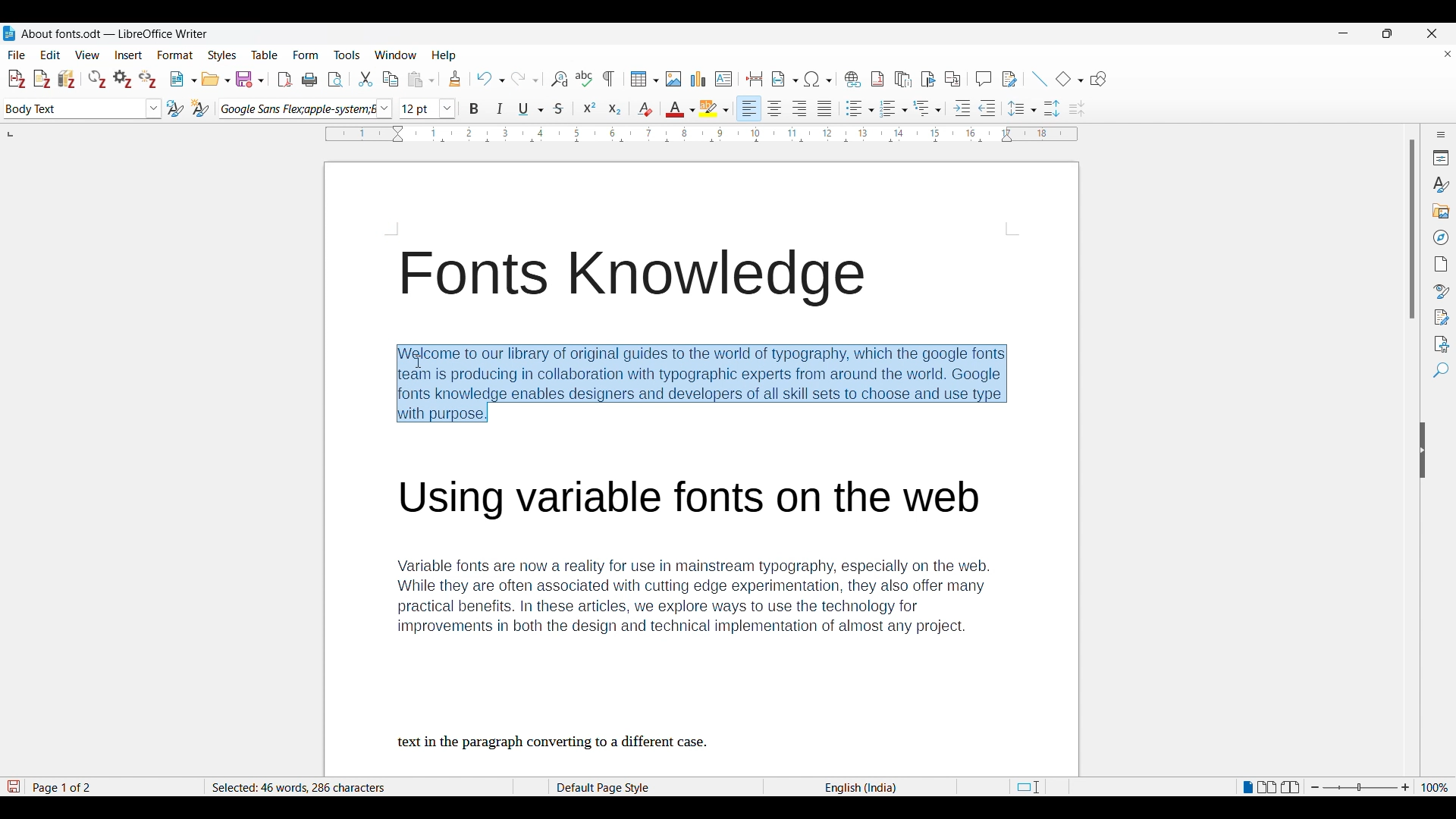  What do you see at coordinates (396, 55) in the screenshot?
I see `Window menu` at bounding box center [396, 55].